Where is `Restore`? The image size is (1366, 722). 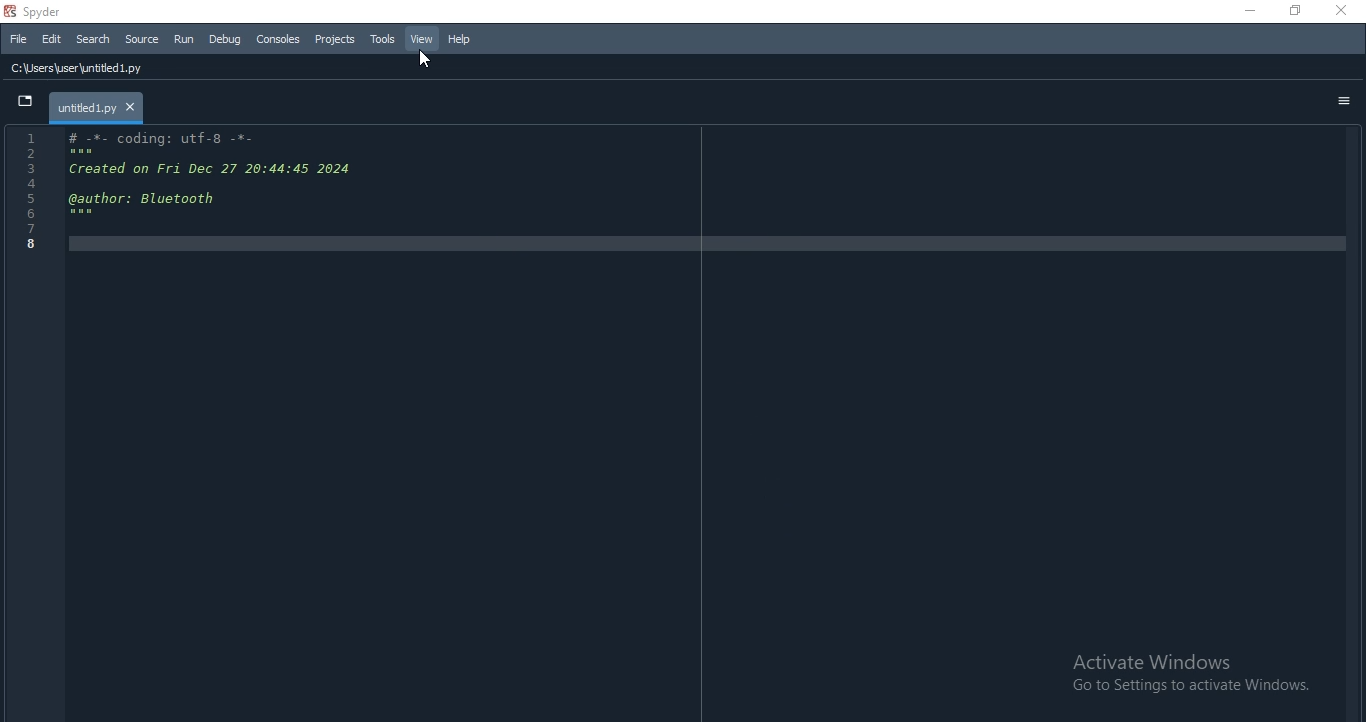 Restore is located at coordinates (1295, 10).